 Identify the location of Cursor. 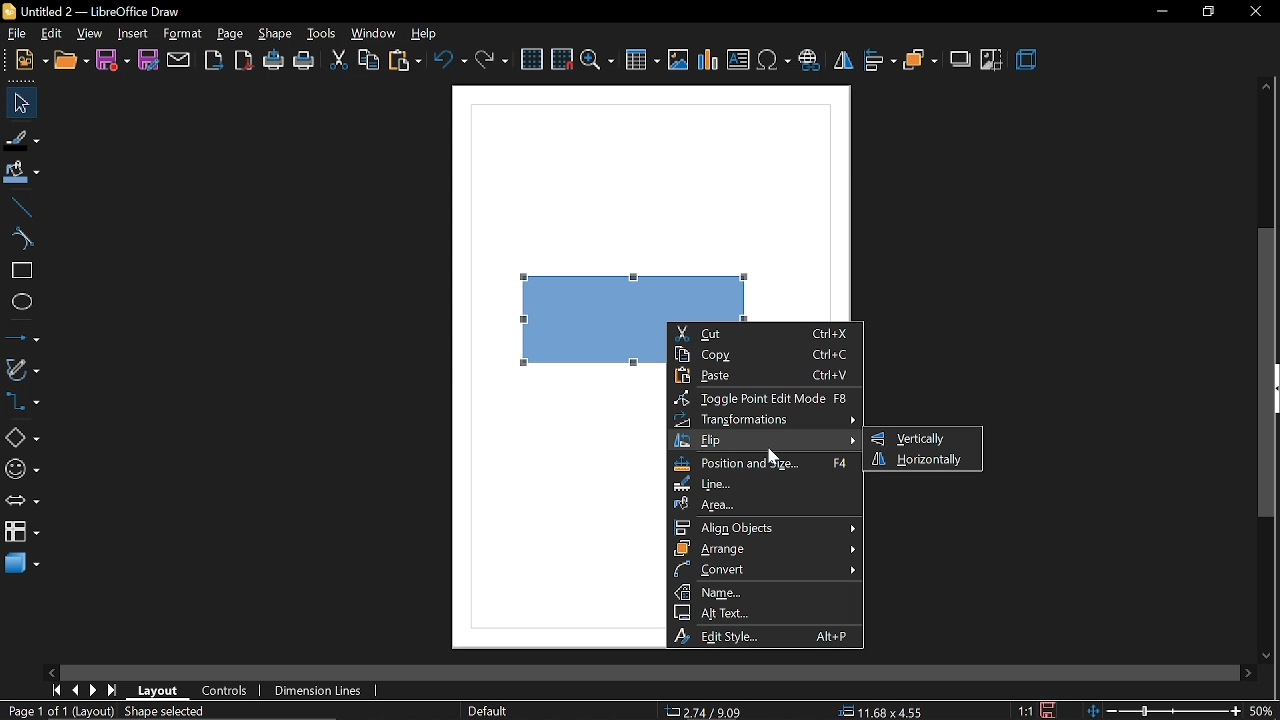
(774, 456).